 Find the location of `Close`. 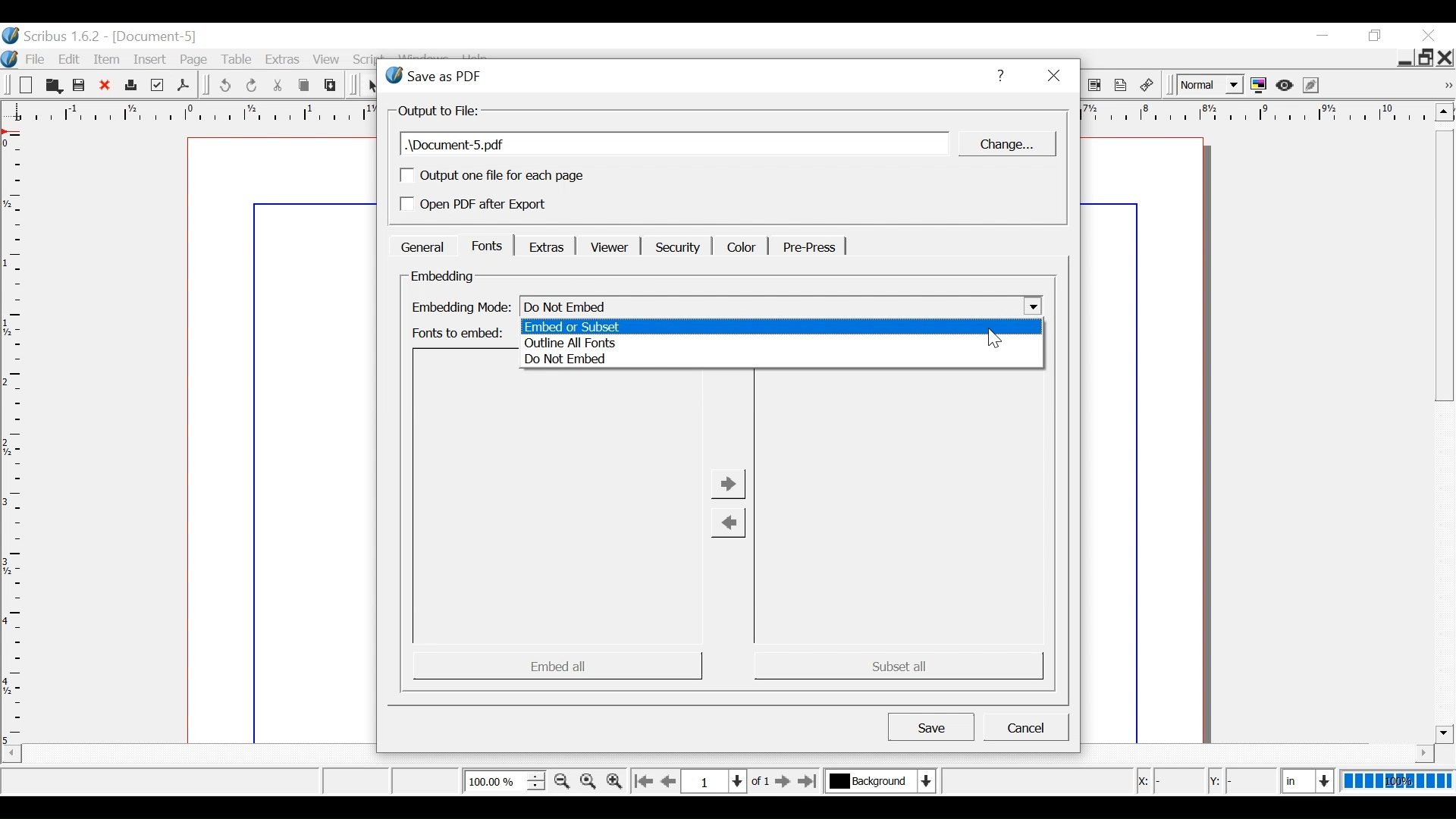

Close is located at coordinates (1446, 58).